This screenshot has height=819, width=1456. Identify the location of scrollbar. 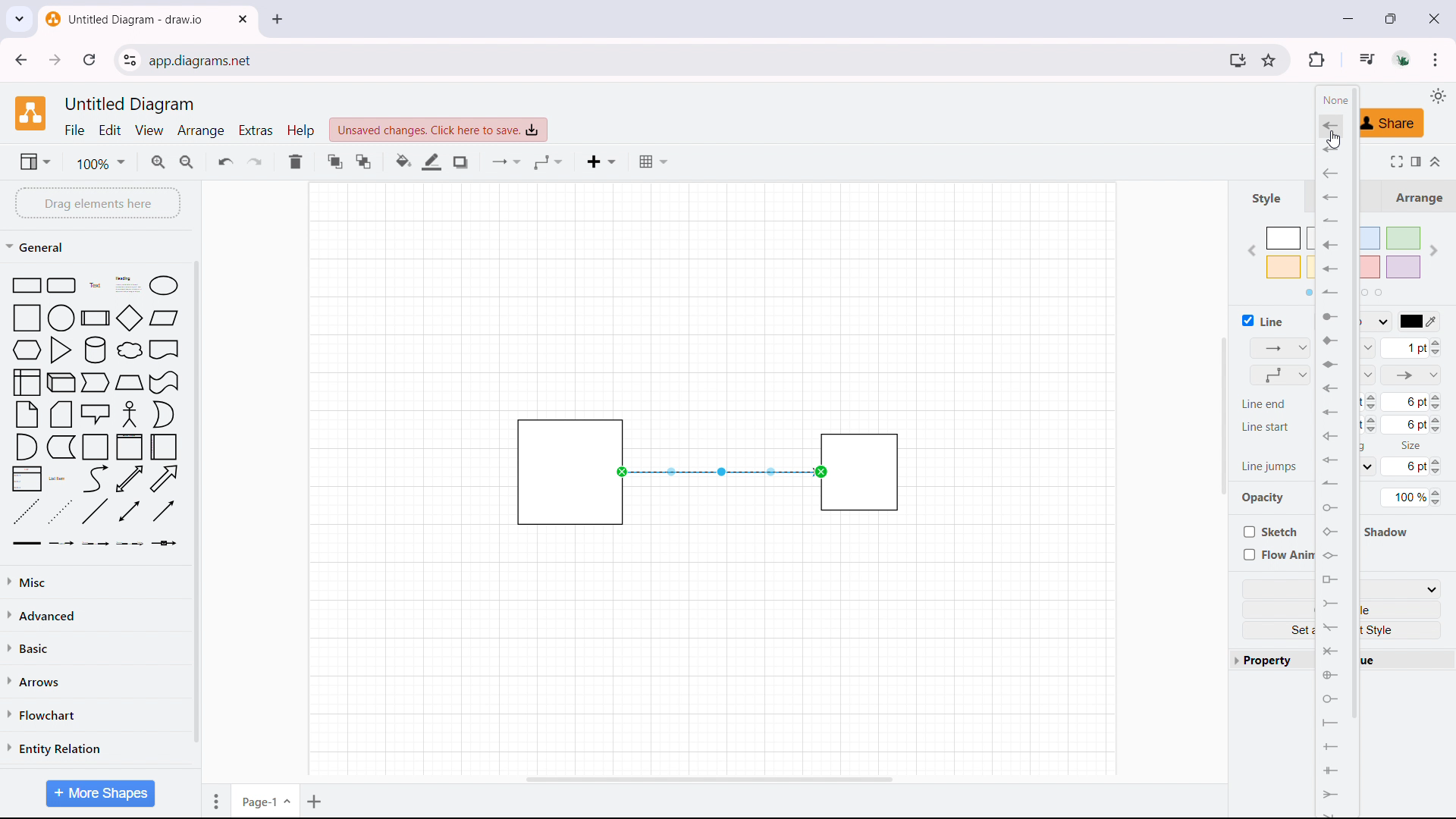
(196, 504).